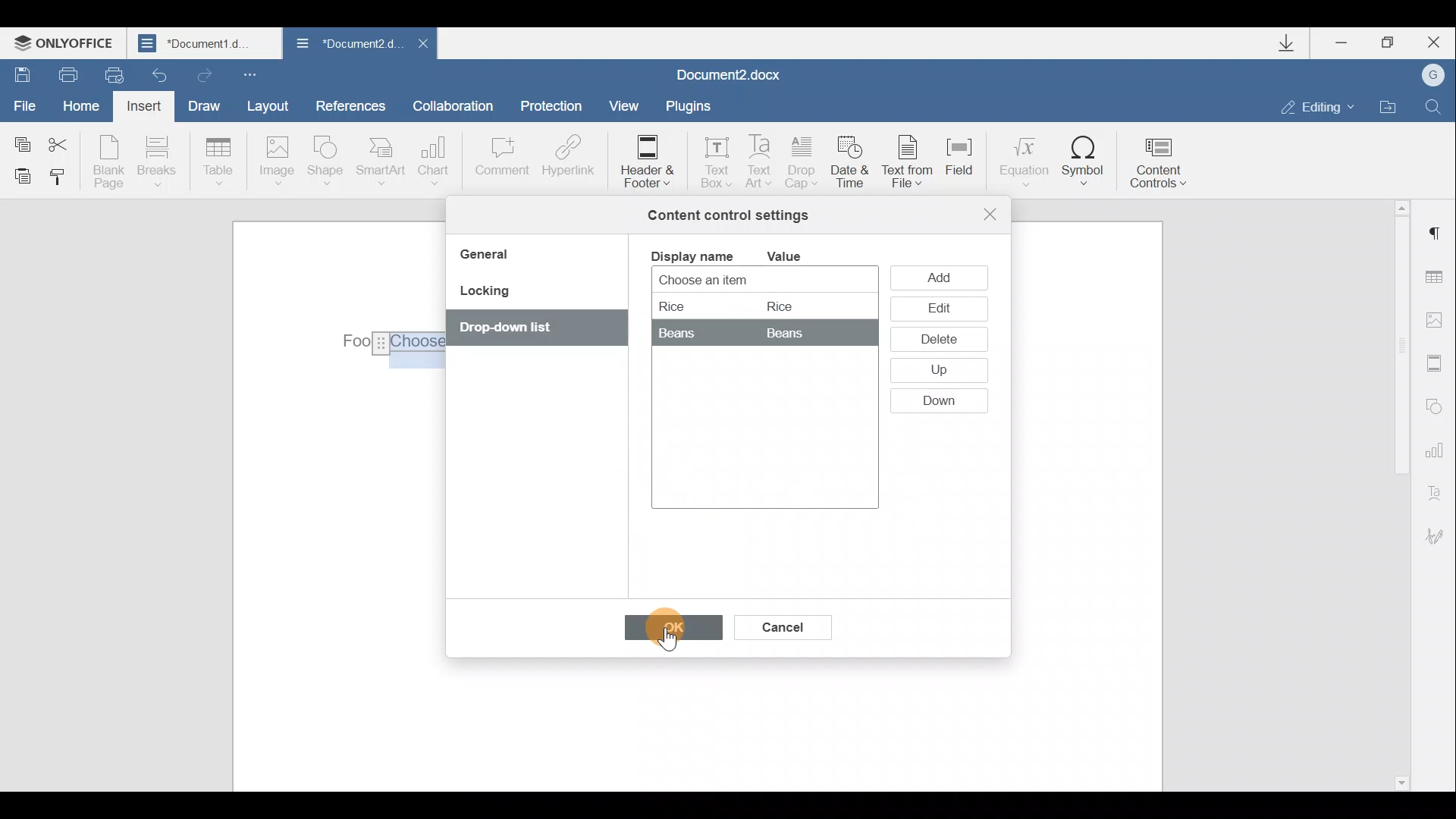 The height and width of the screenshot is (819, 1456). Describe the element at coordinates (350, 104) in the screenshot. I see `References` at that location.